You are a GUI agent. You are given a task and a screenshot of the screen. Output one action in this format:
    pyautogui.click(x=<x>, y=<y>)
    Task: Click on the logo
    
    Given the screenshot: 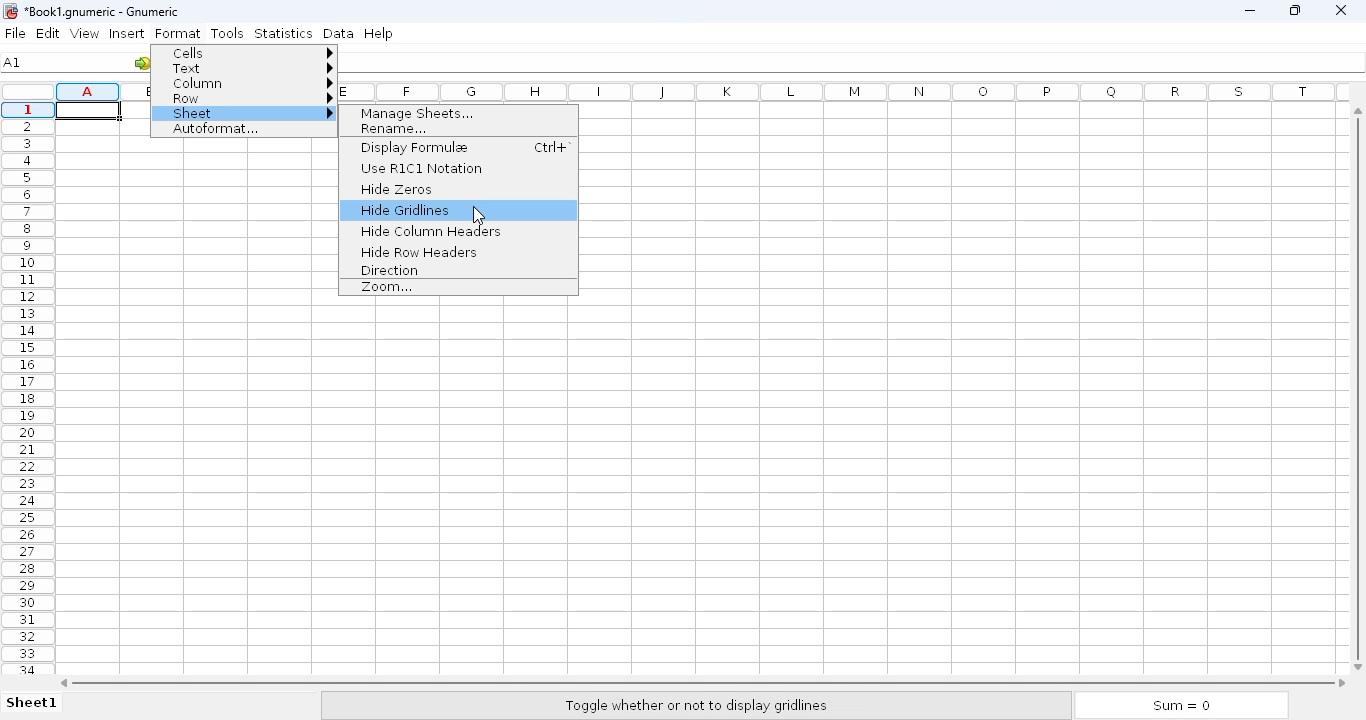 What is the action you would take?
    pyautogui.click(x=9, y=10)
    